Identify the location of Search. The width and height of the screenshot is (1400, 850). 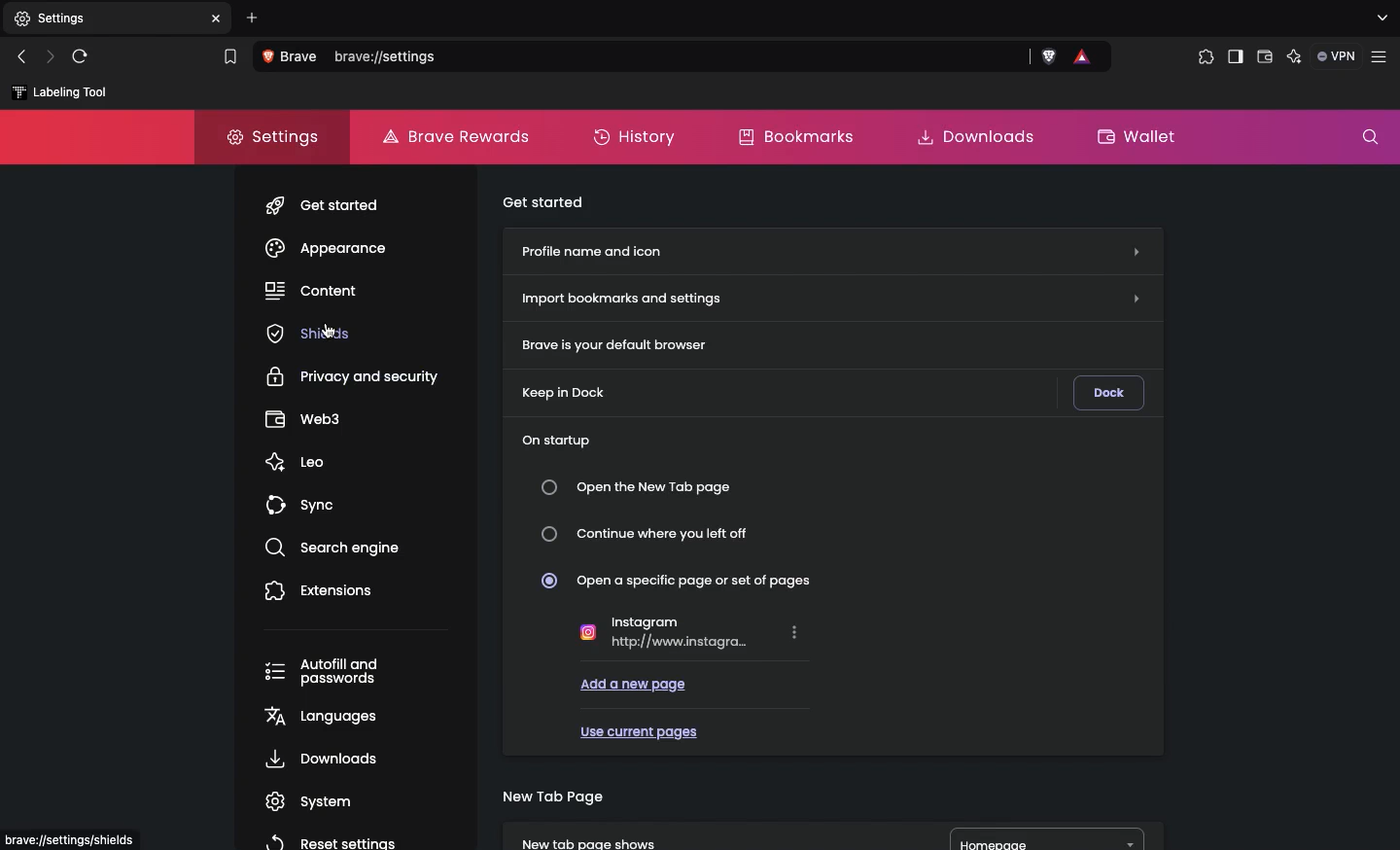
(639, 56).